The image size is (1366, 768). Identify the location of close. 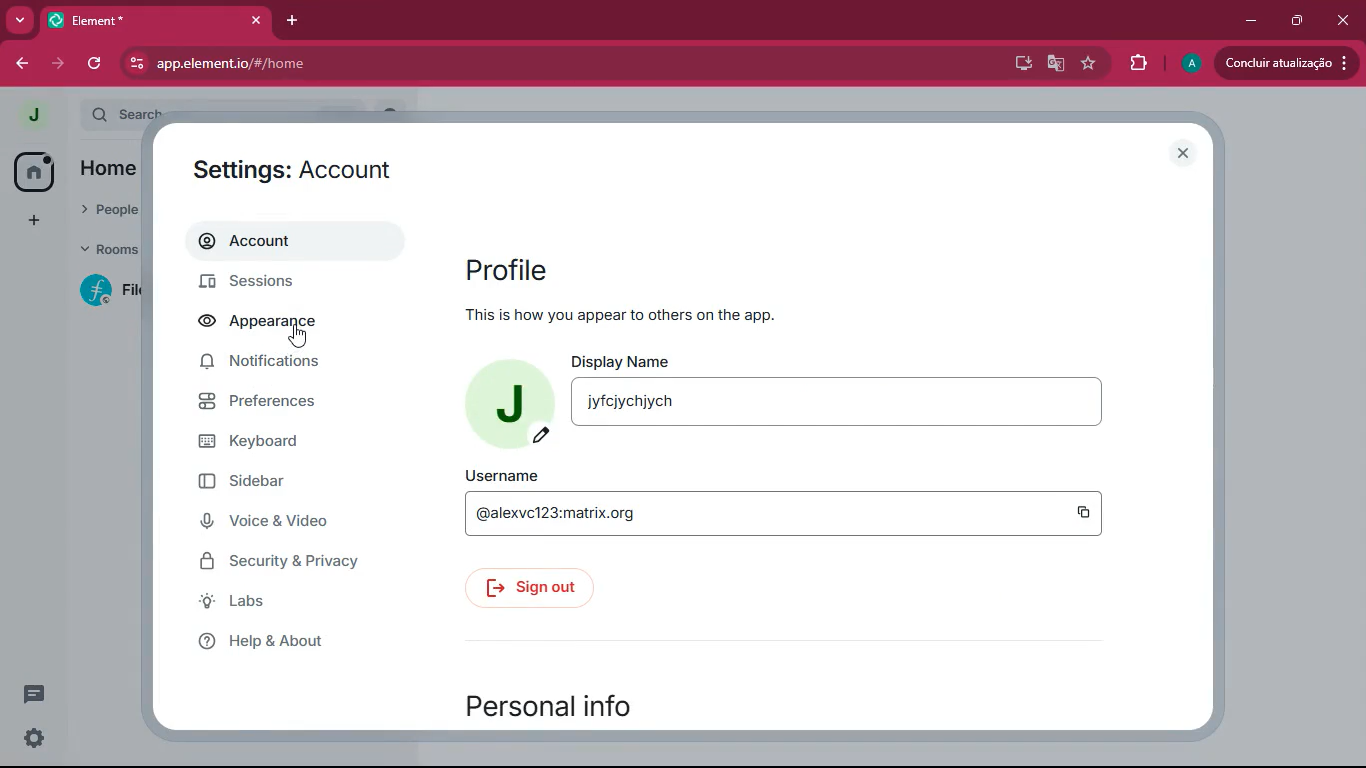
(256, 20).